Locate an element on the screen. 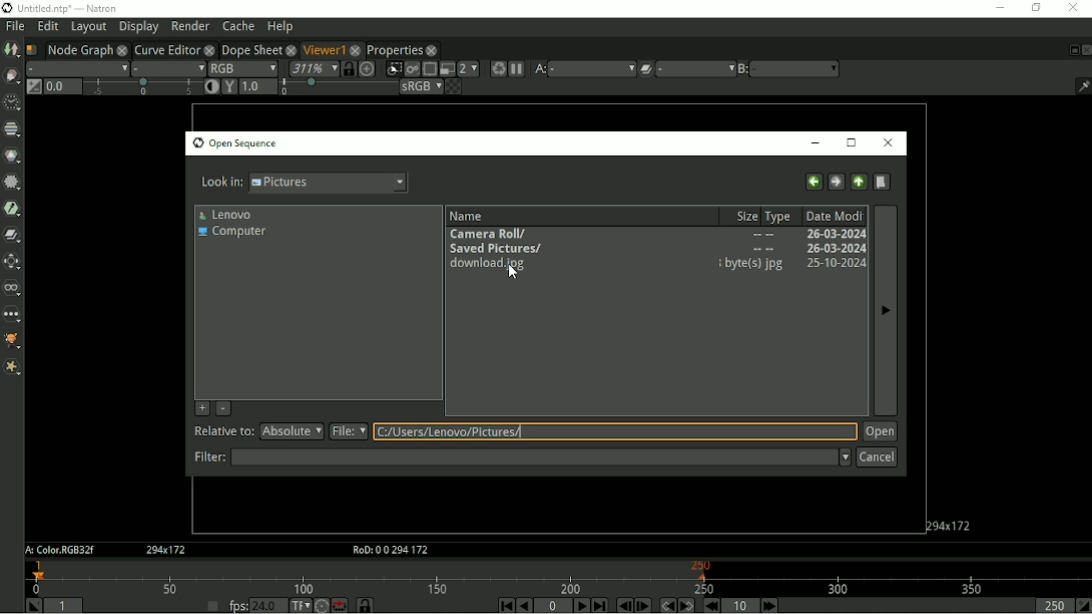  Next is located at coordinates (885, 309).